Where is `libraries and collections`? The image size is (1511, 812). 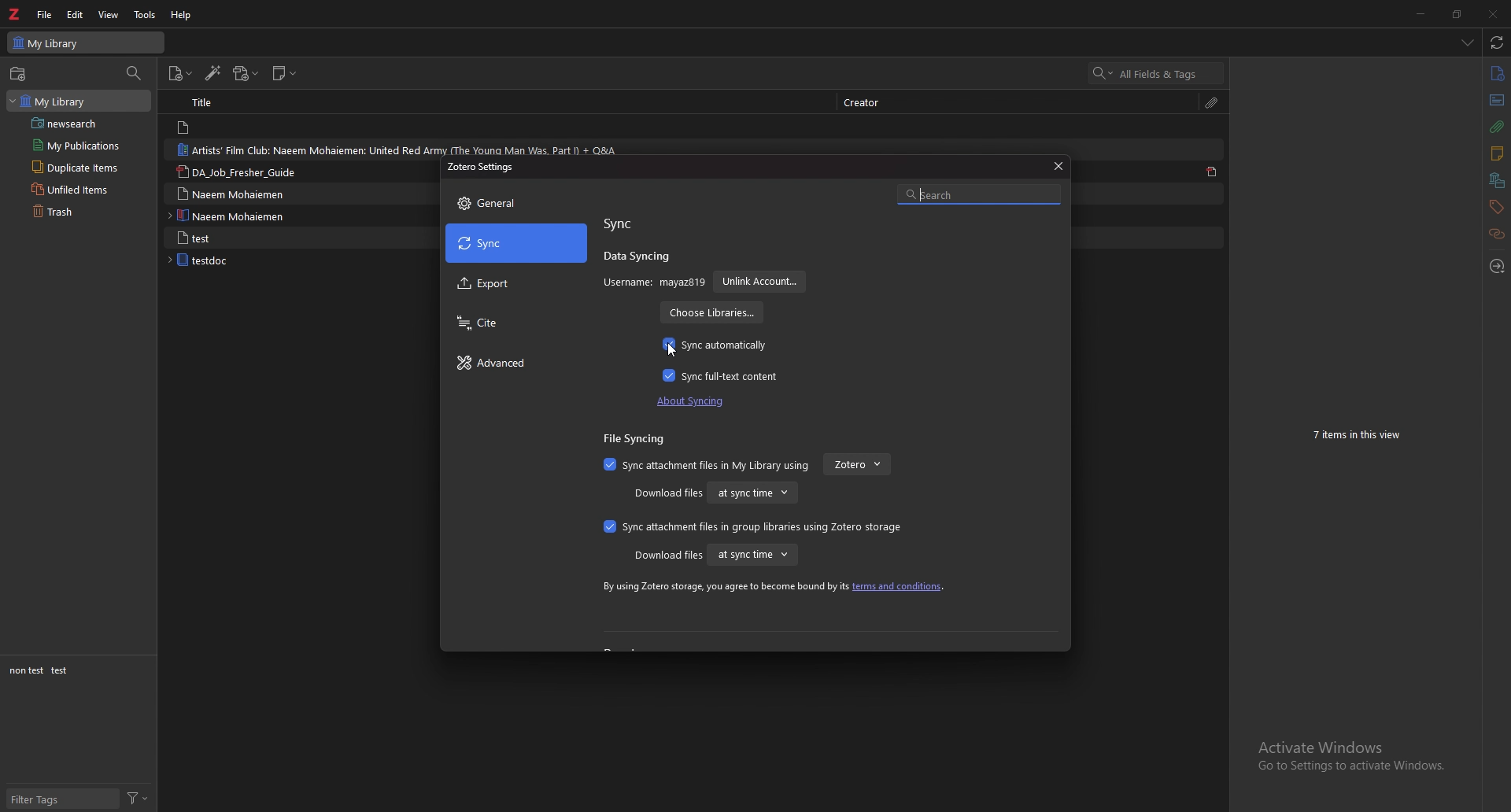 libraries and collections is located at coordinates (1497, 181).